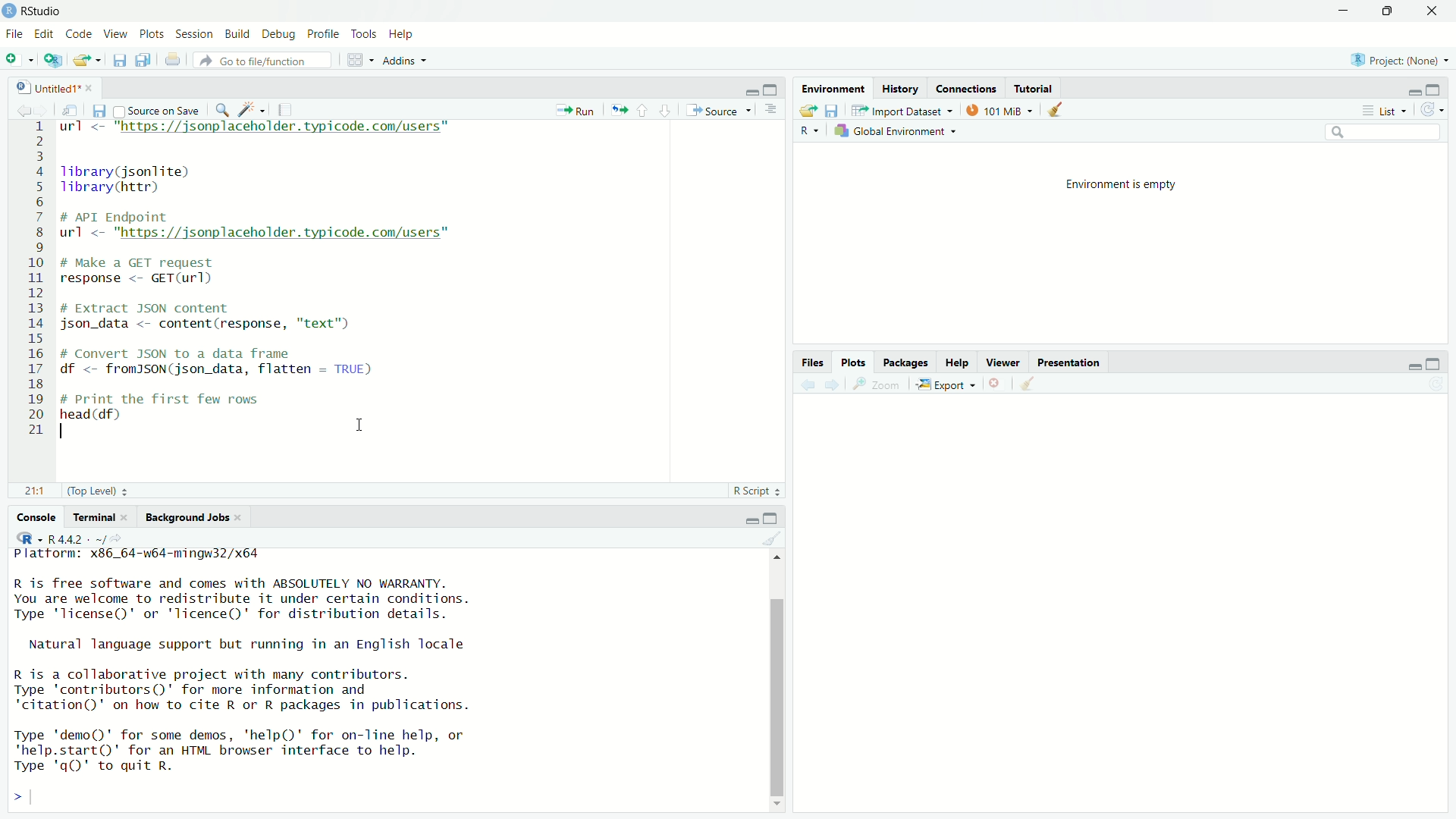  I want to click on Background Jobs, so click(193, 517).